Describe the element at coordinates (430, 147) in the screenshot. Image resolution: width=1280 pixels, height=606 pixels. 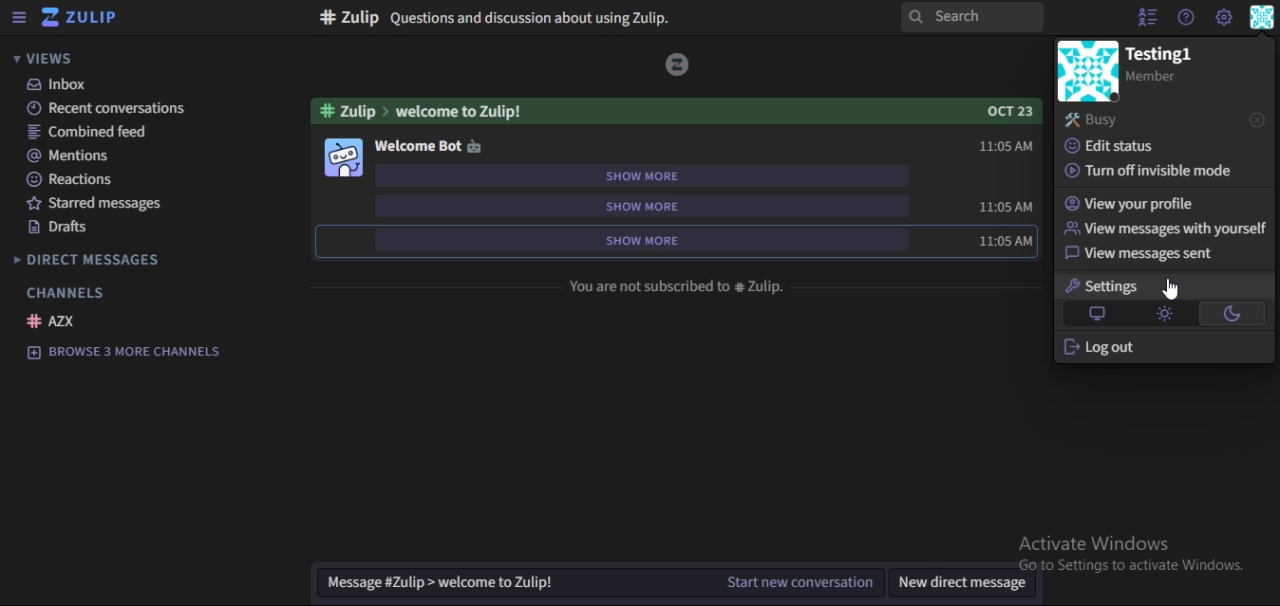
I see `welcome bot` at that location.